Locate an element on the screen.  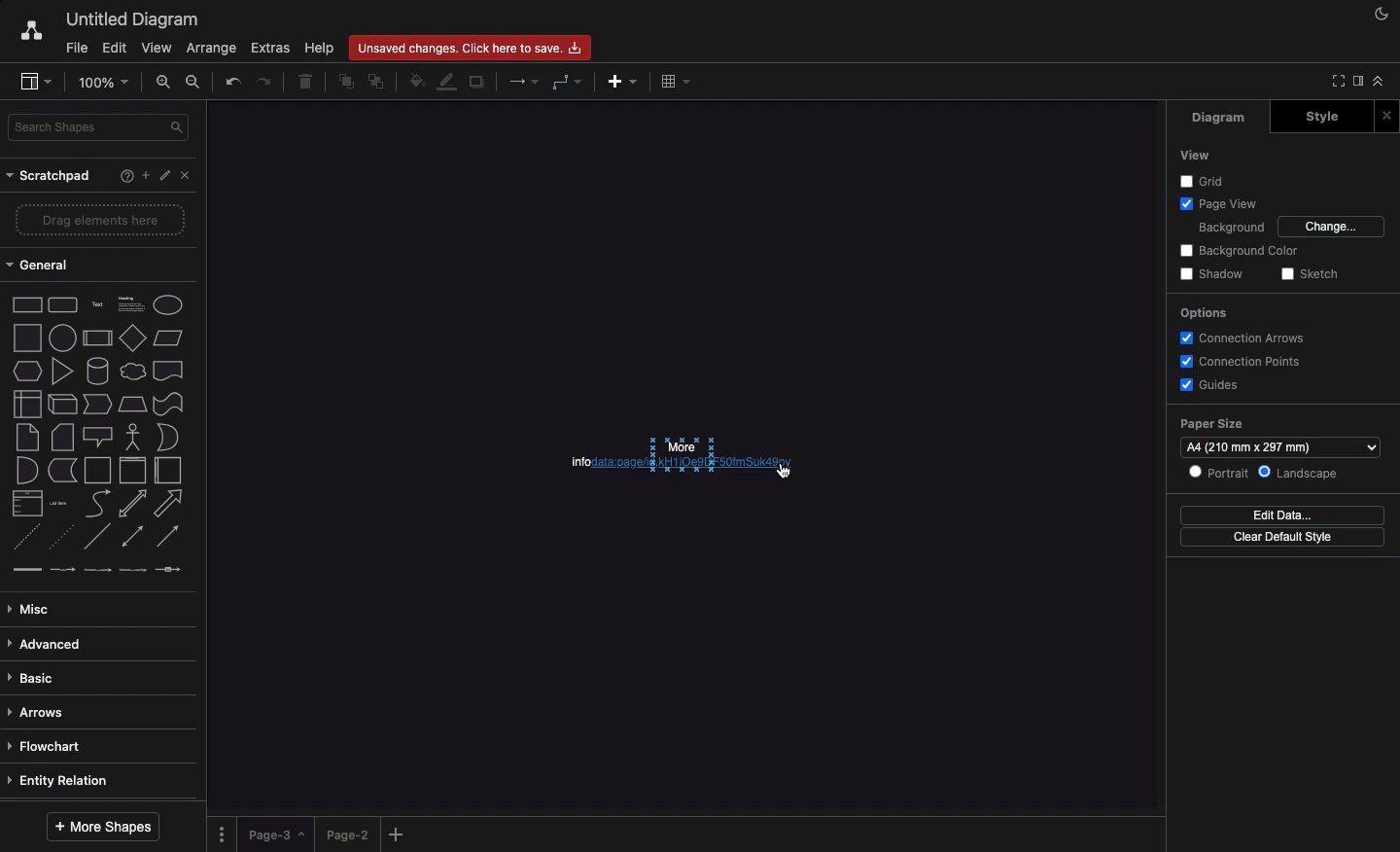
Change is located at coordinates (1333, 227).